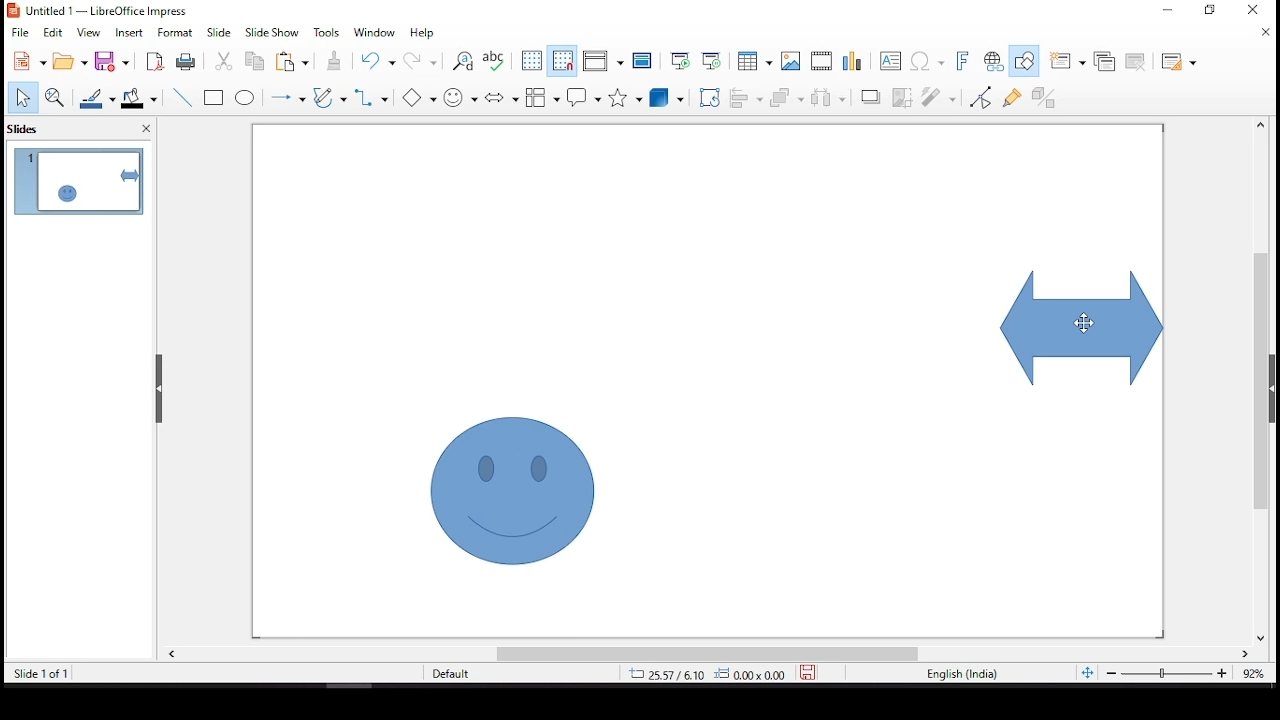  I want to click on show gluepoint functions, so click(1011, 96).